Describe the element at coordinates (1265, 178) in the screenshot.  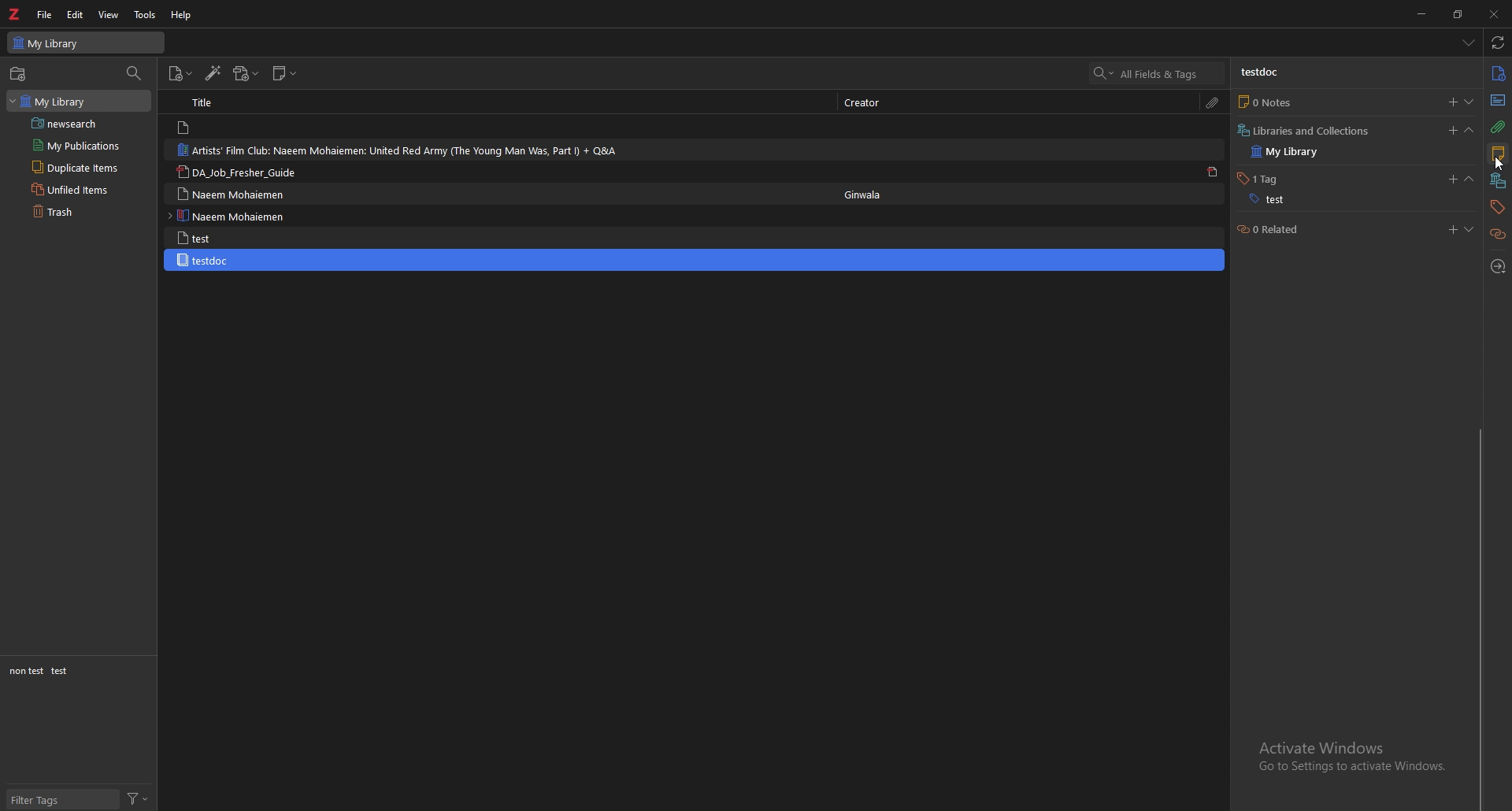
I see `1 tag` at that location.